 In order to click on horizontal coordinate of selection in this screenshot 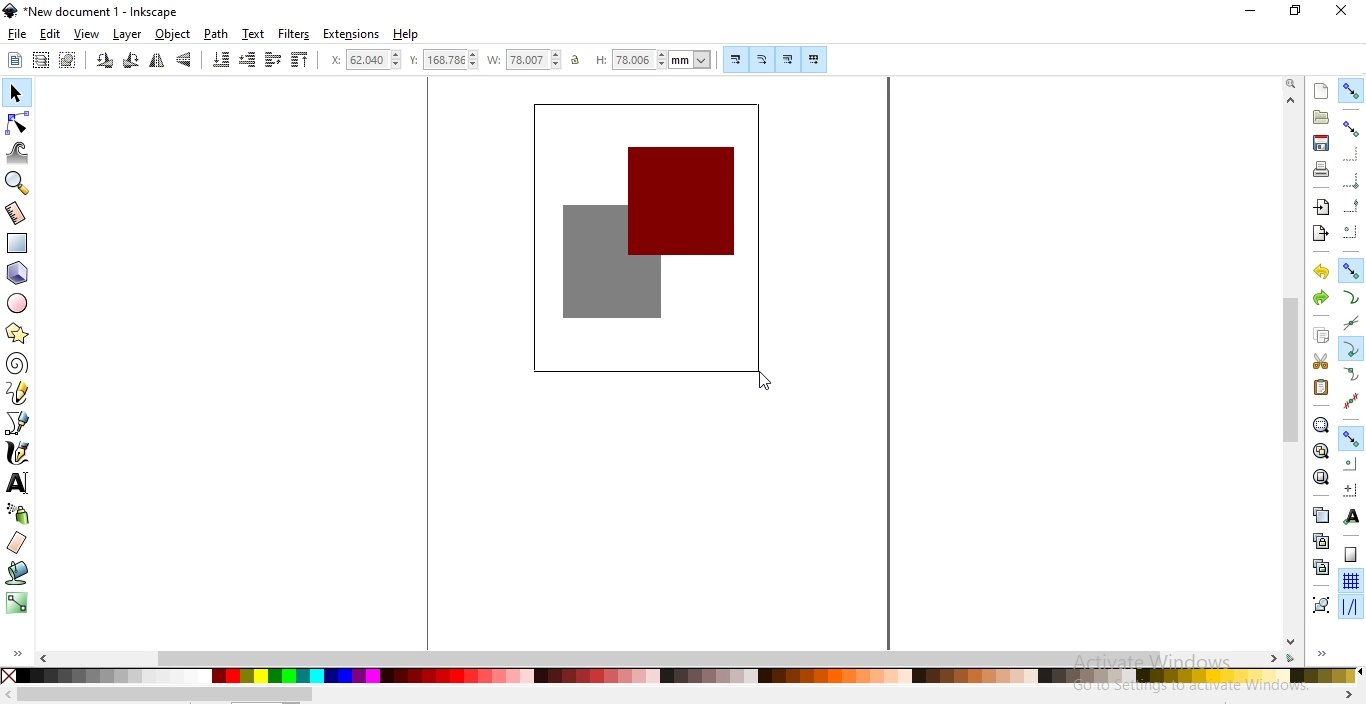, I will do `click(368, 62)`.